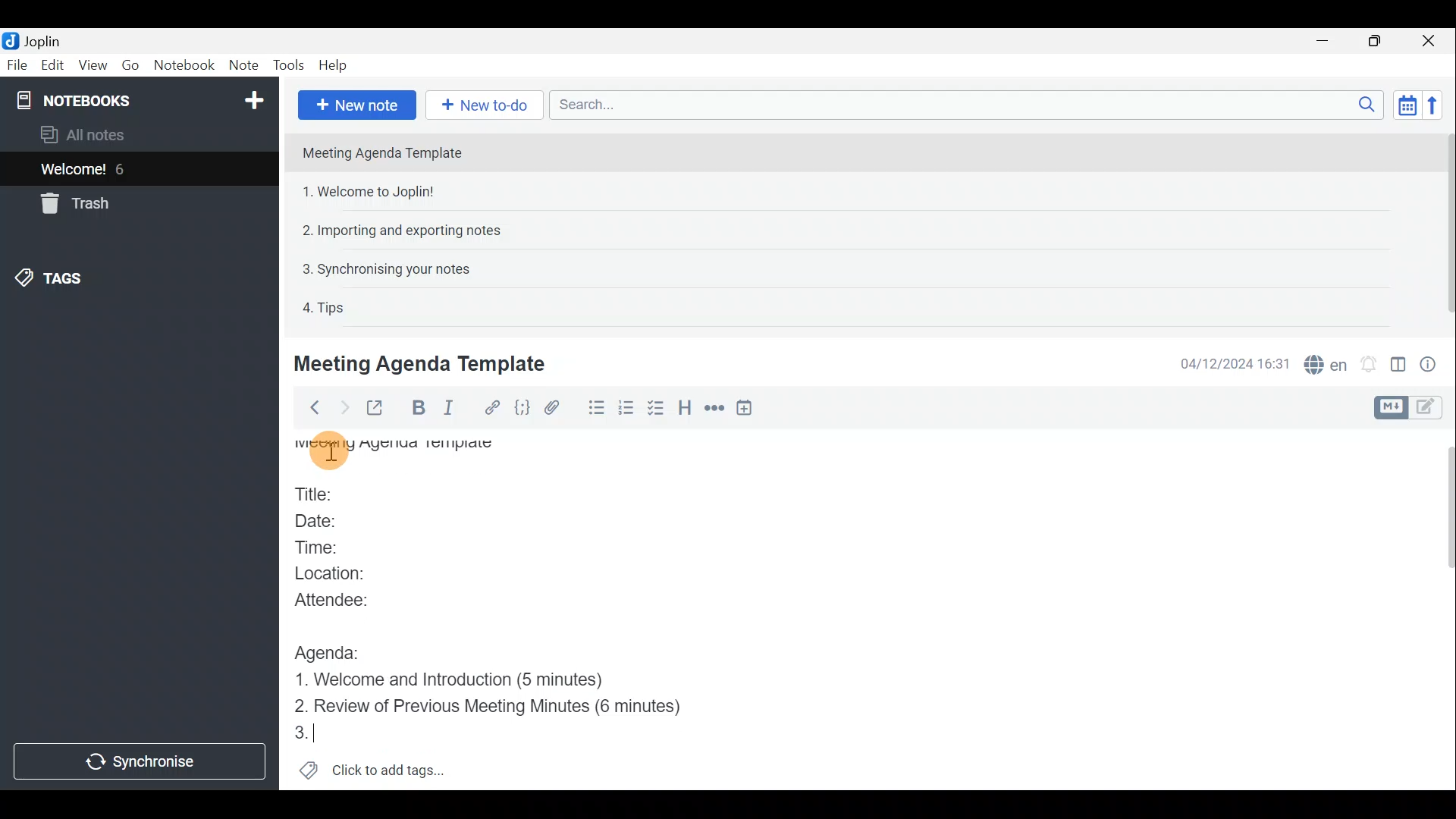  I want to click on Agenda:, so click(335, 652).